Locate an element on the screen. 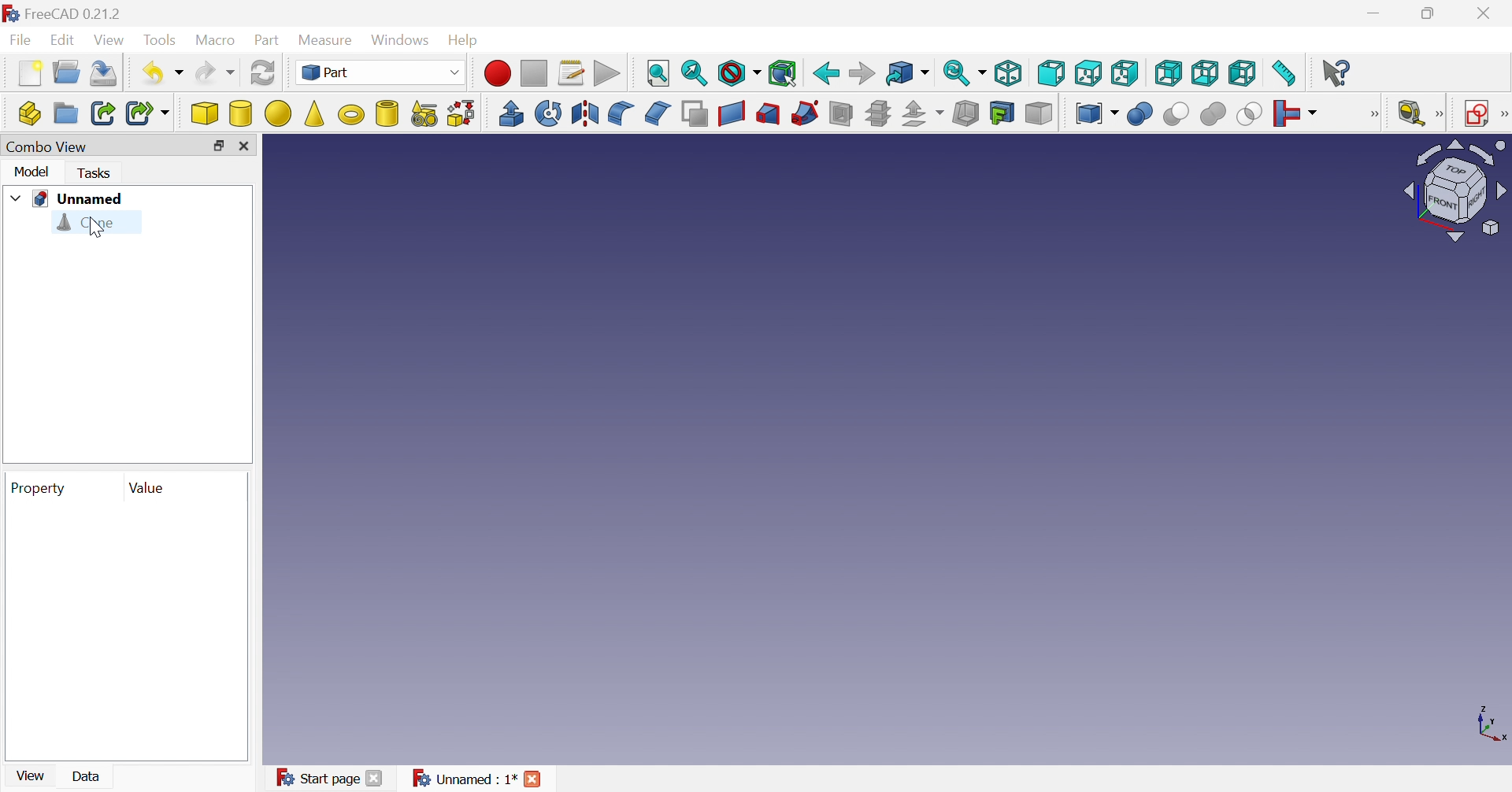 The width and height of the screenshot is (1512, 792). Join objects is located at coordinates (1299, 112).